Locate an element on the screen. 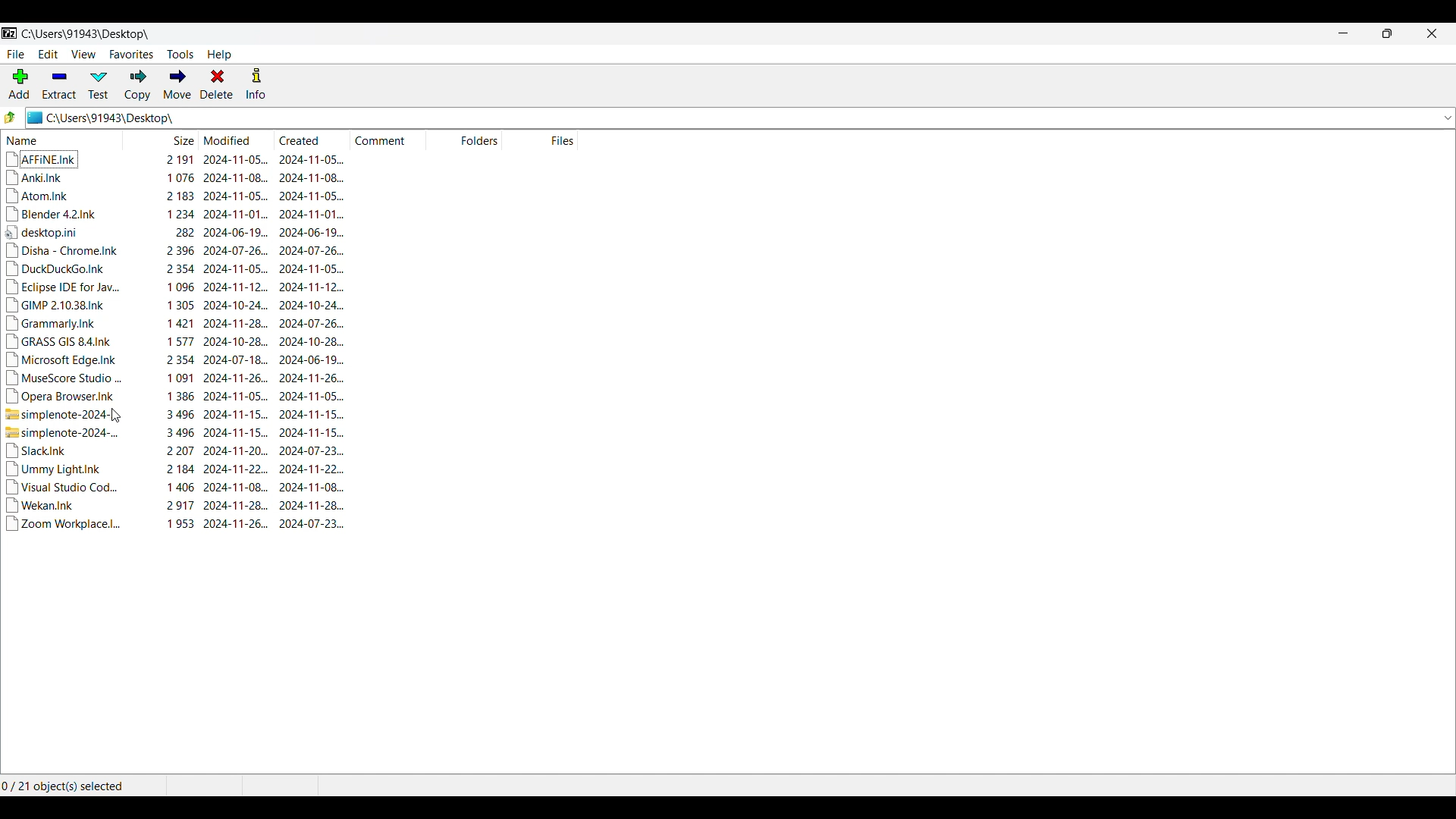 This screenshot has width=1456, height=819. DuckDuckGo.Ink 2354 2024-11-05... 2024-11-05... is located at coordinates (177, 270).